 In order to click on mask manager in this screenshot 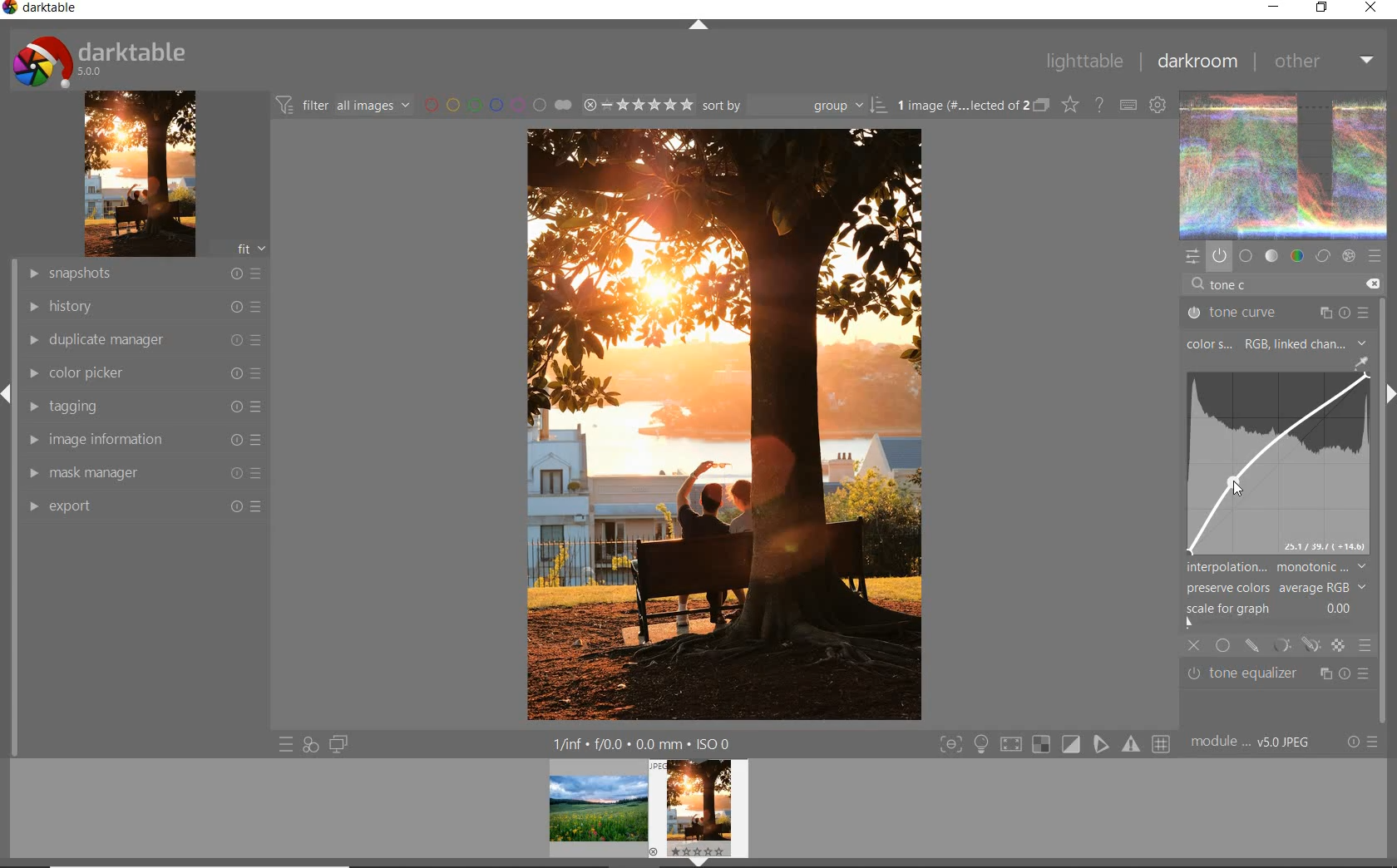, I will do `click(143, 476)`.